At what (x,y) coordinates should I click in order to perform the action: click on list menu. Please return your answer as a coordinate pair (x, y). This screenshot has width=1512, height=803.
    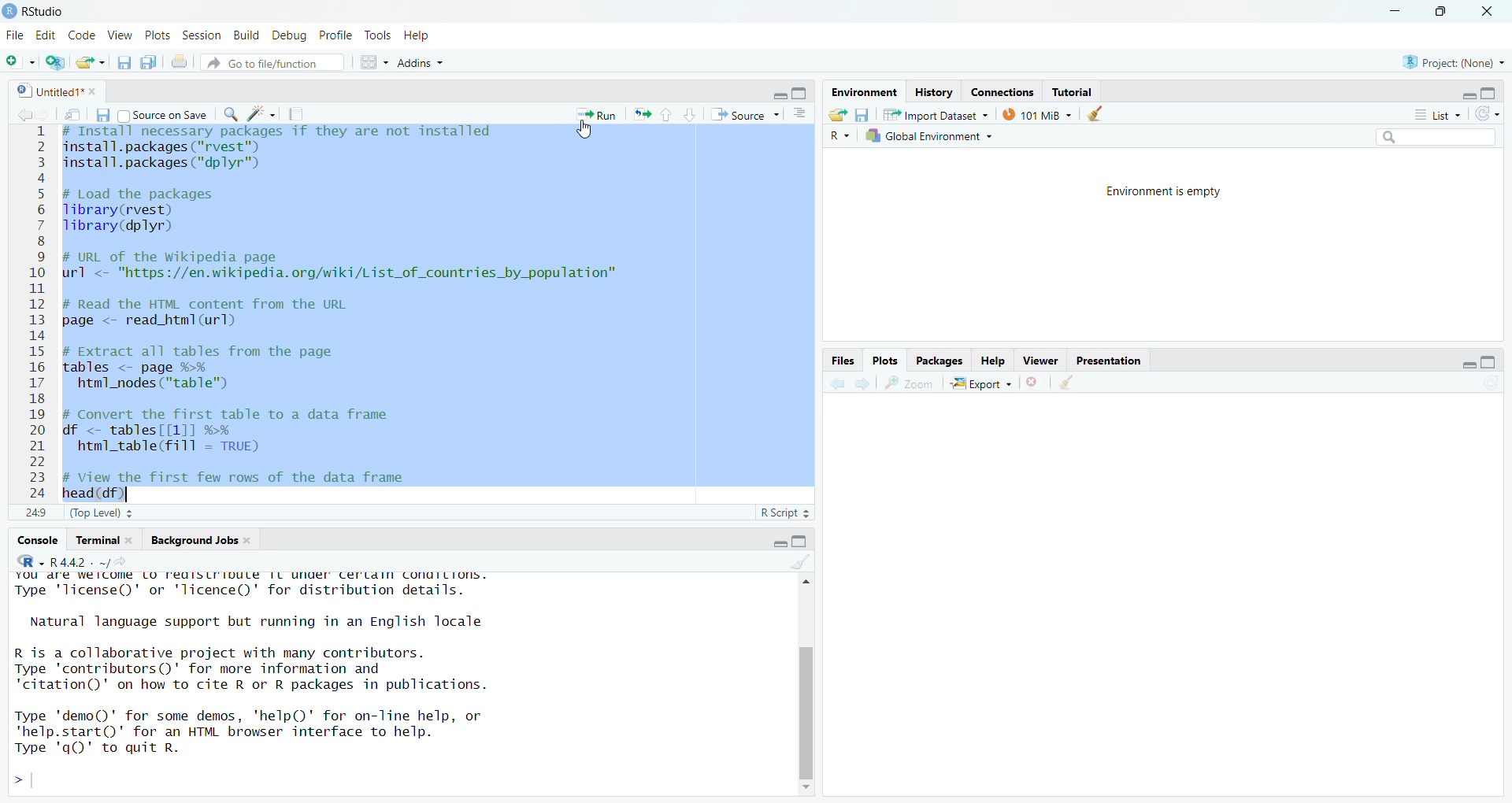
    Looking at the image, I should click on (1436, 115).